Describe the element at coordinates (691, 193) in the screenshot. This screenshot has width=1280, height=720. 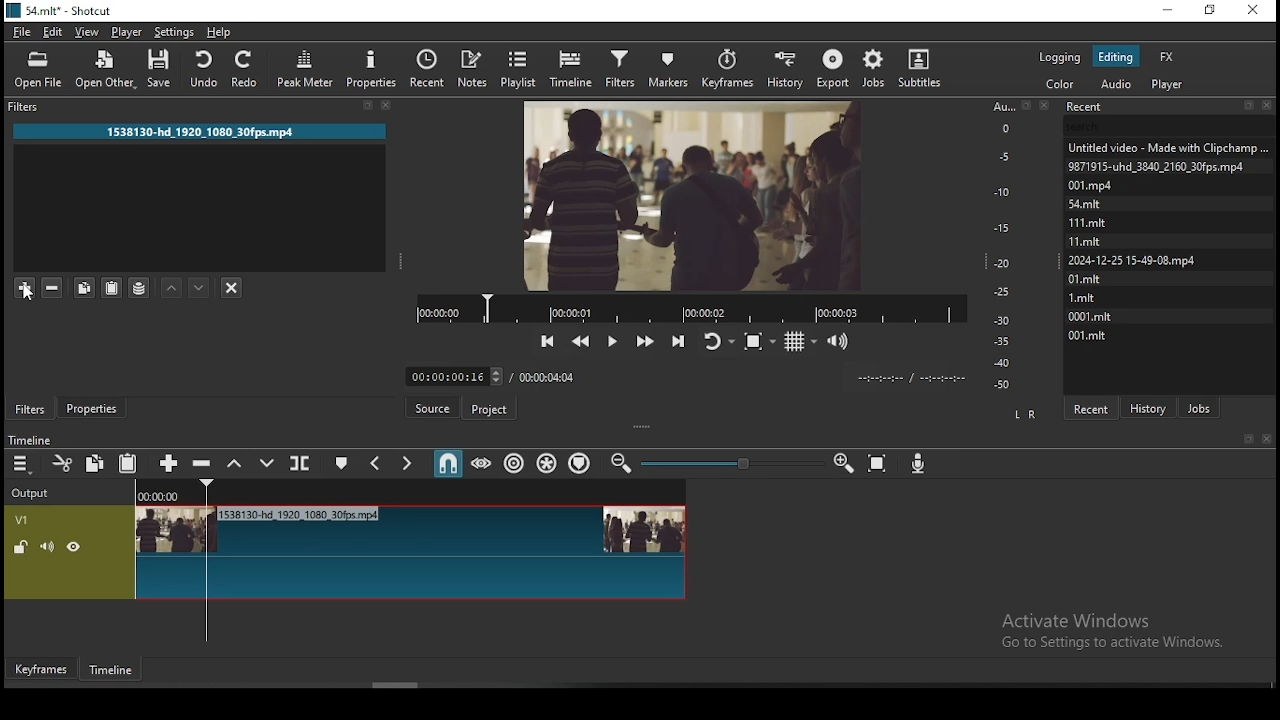
I see `video preview` at that location.